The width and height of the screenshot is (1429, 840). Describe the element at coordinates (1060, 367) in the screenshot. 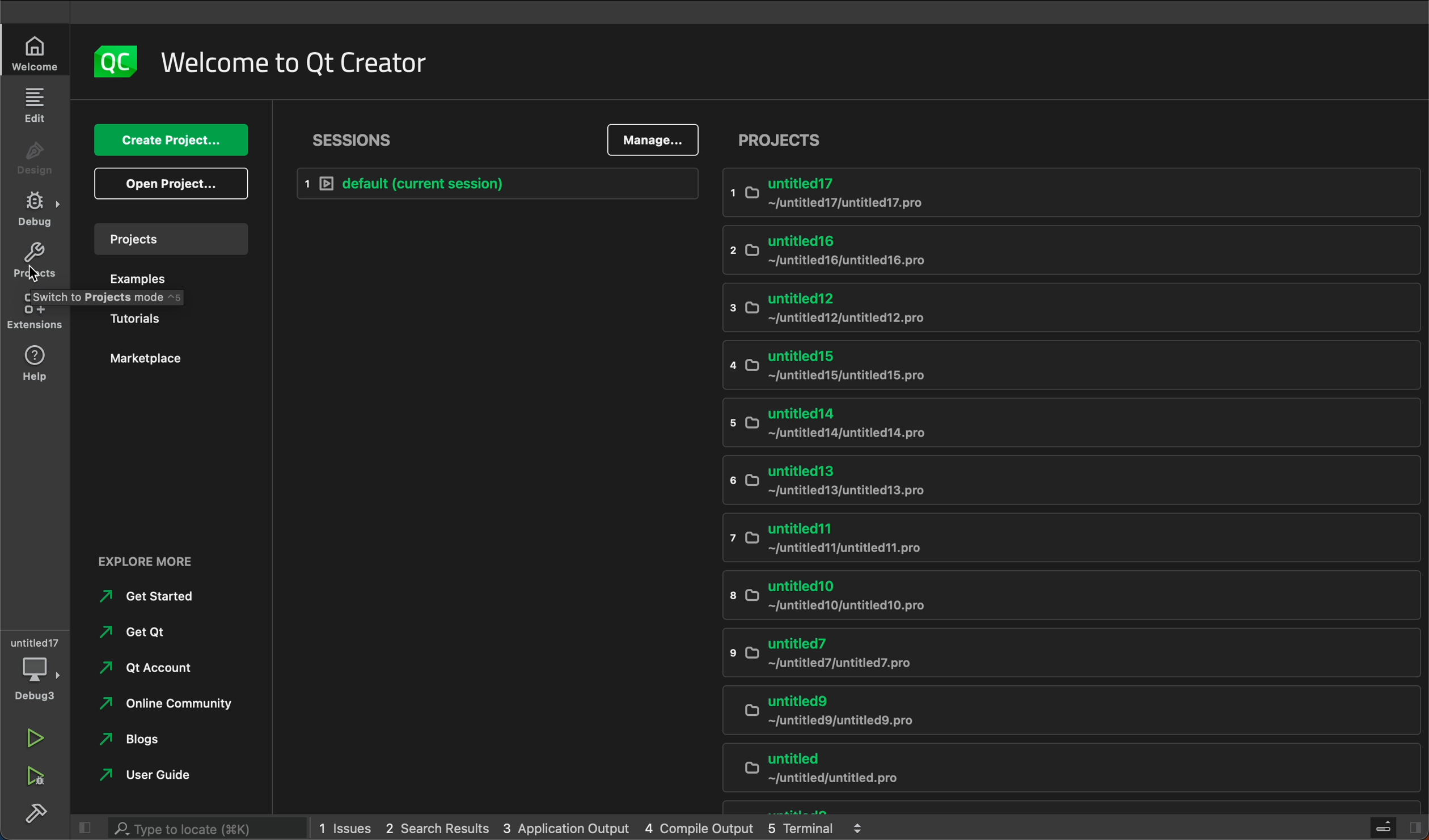

I see `untitled15` at that location.